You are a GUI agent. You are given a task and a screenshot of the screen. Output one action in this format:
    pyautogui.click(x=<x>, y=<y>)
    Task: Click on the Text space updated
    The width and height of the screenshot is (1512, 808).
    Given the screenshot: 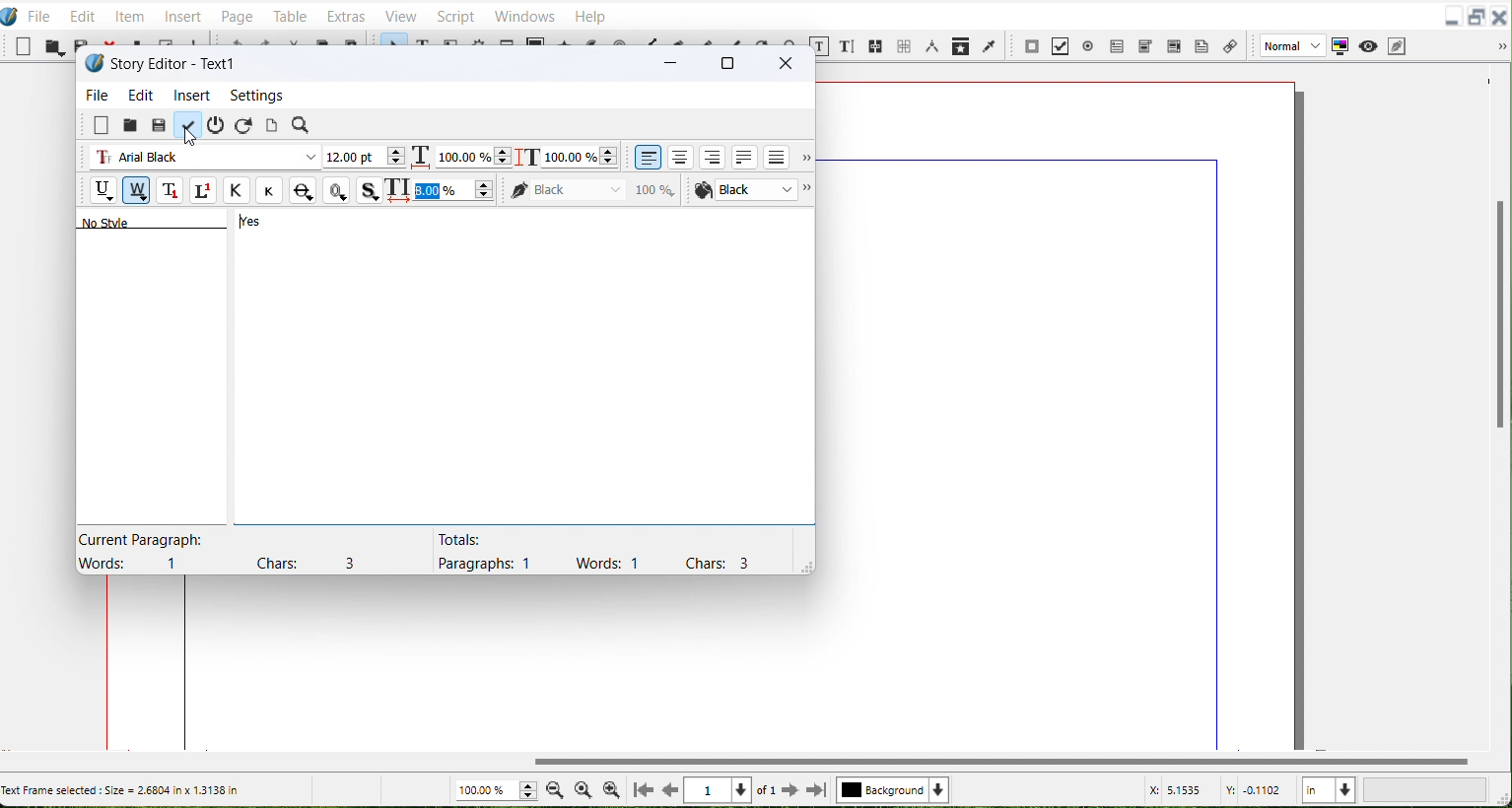 What is the action you would take?
    pyautogui.click(x=439, y=188)
    